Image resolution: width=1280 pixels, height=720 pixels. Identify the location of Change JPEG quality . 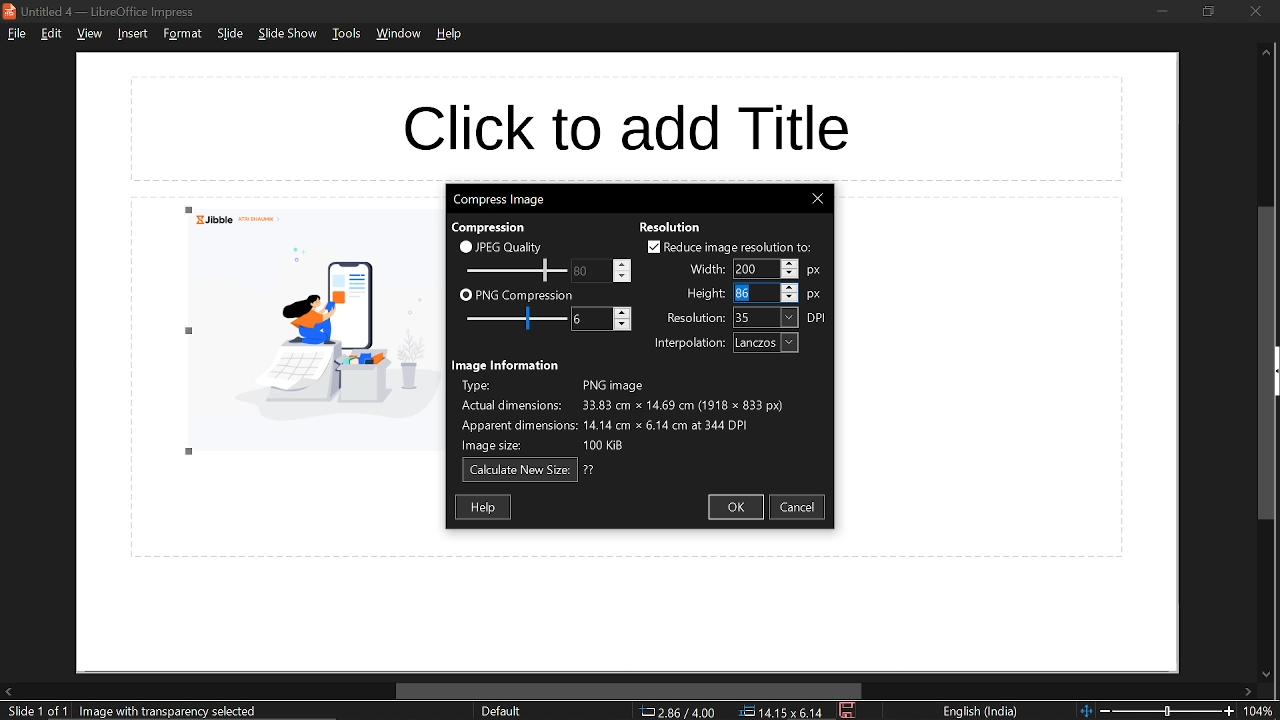
(516, 271).